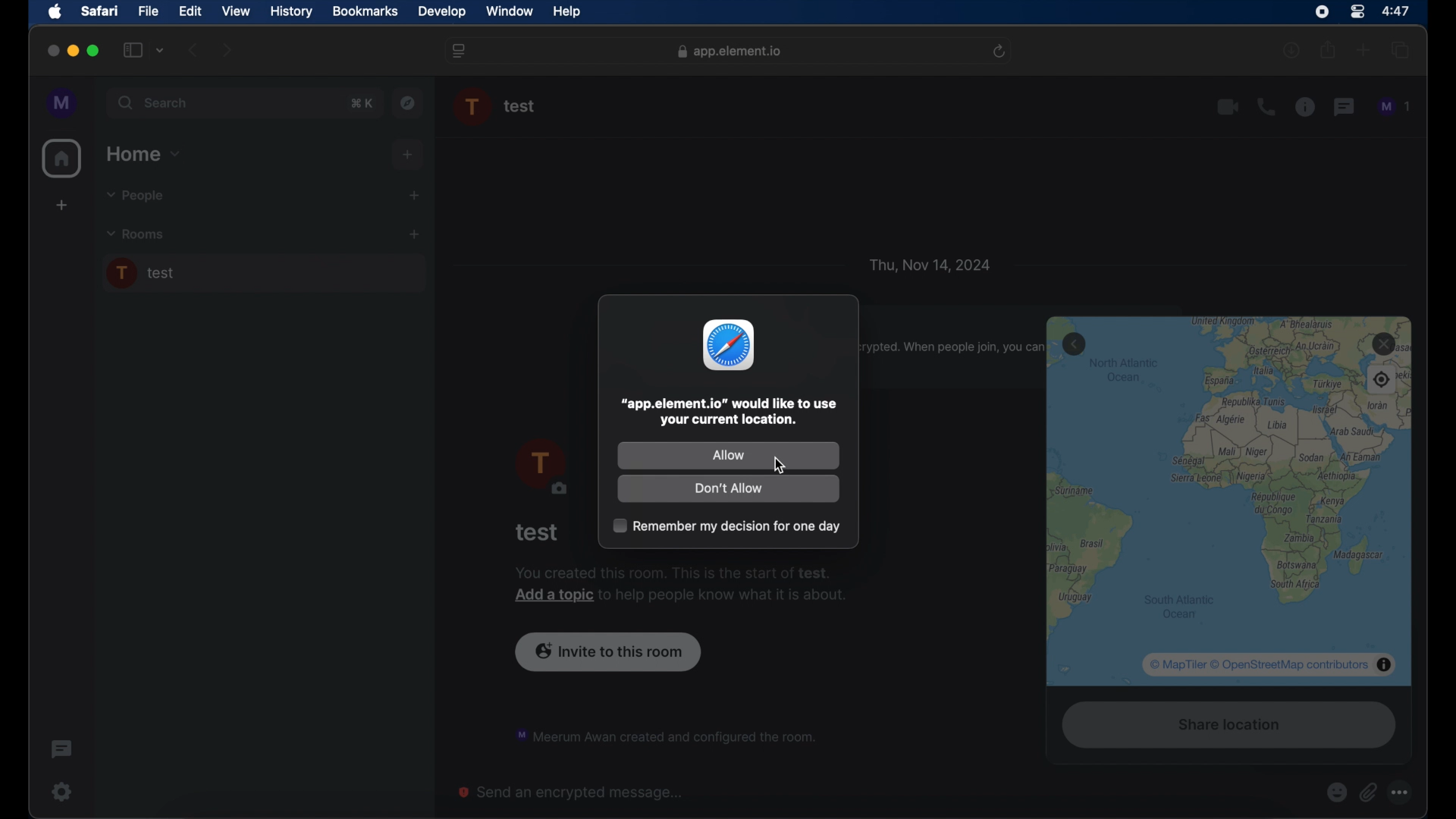 The height and width of the screenshot is (819, 1456). I want to click on add  room, so click(414, 234).